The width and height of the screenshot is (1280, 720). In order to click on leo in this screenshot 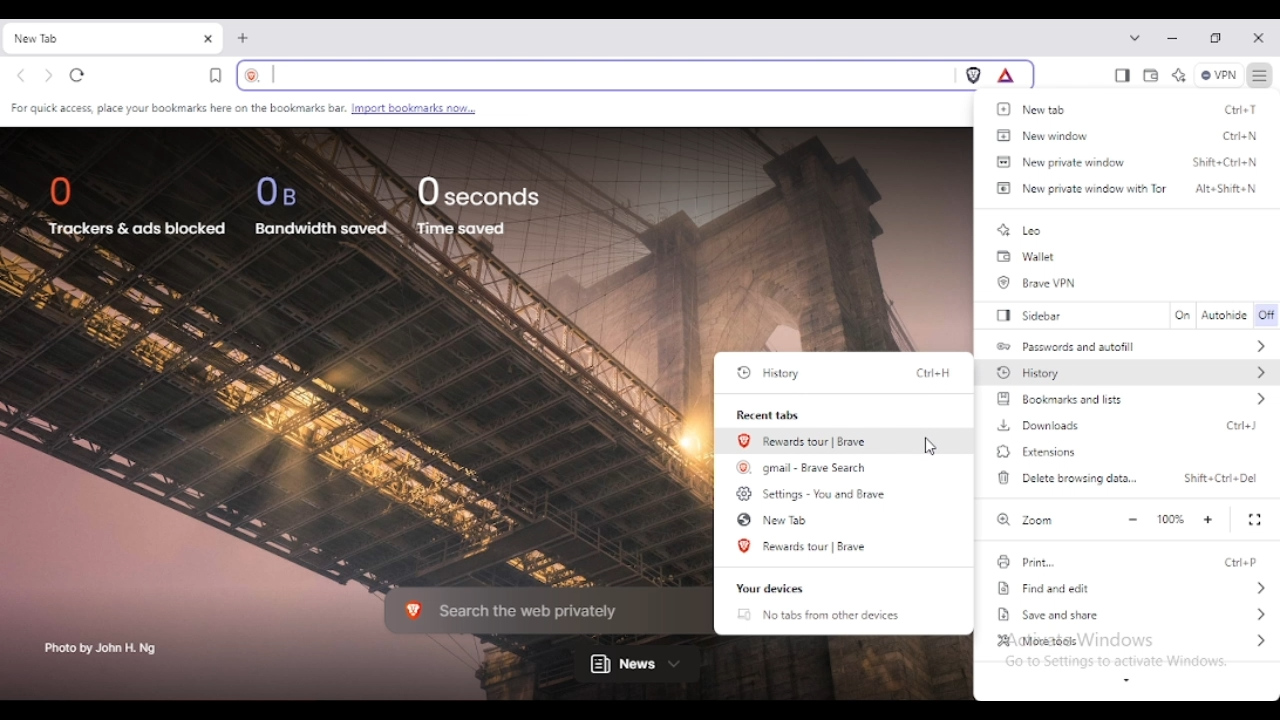, I will do `click(1020, 230)`.